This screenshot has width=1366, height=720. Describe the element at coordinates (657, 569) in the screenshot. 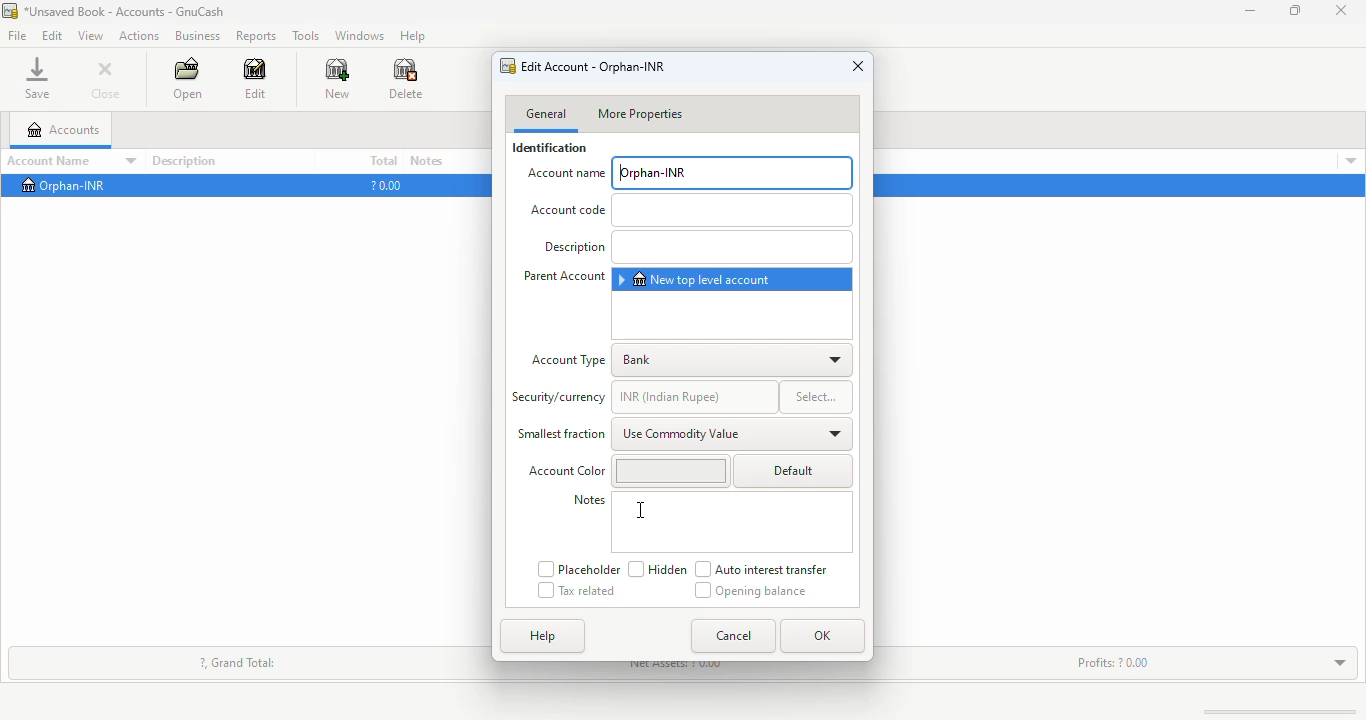

I see `hidden` at that location.